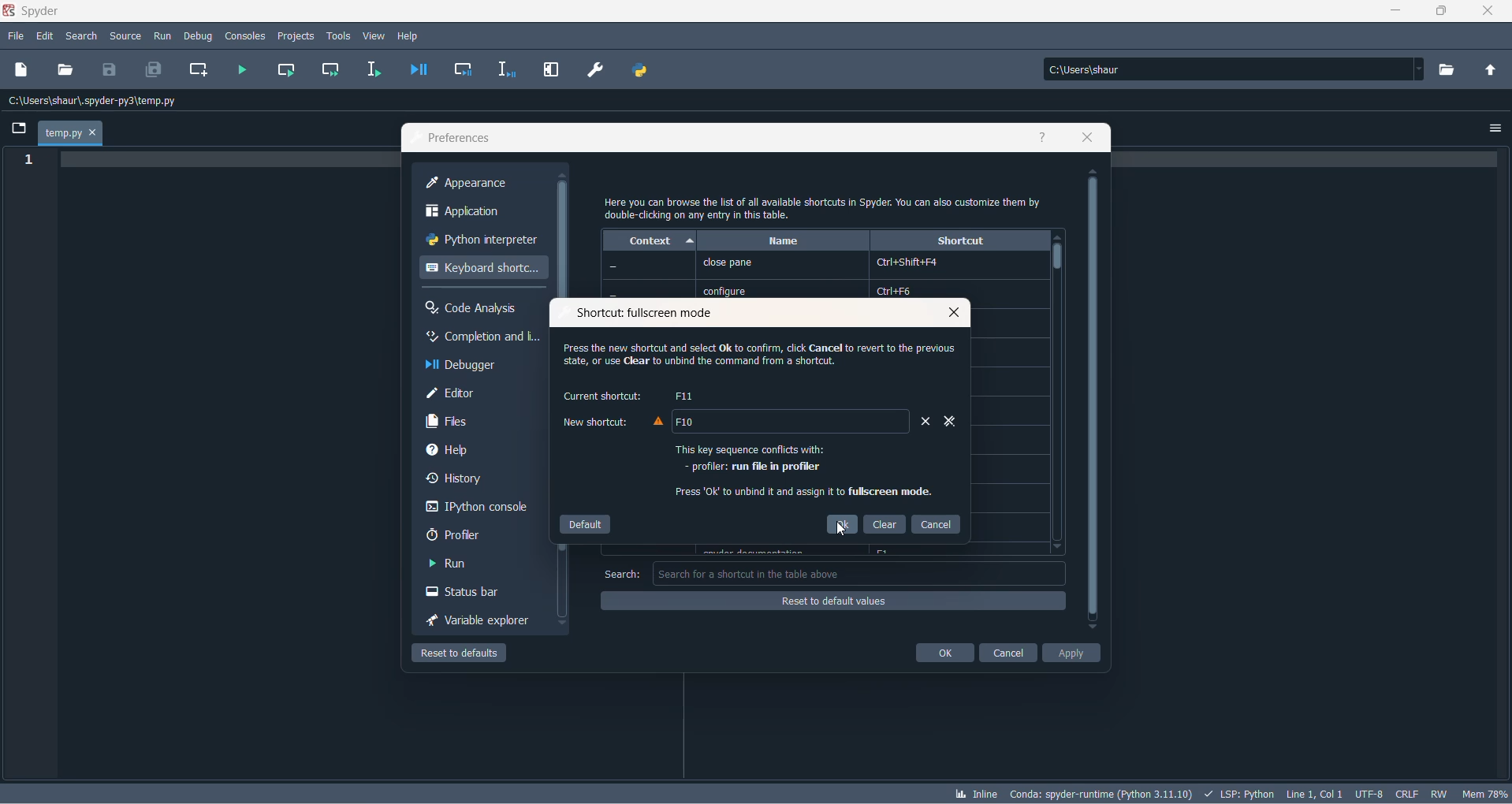  I want to click on memory usage, so click(1487, 794).